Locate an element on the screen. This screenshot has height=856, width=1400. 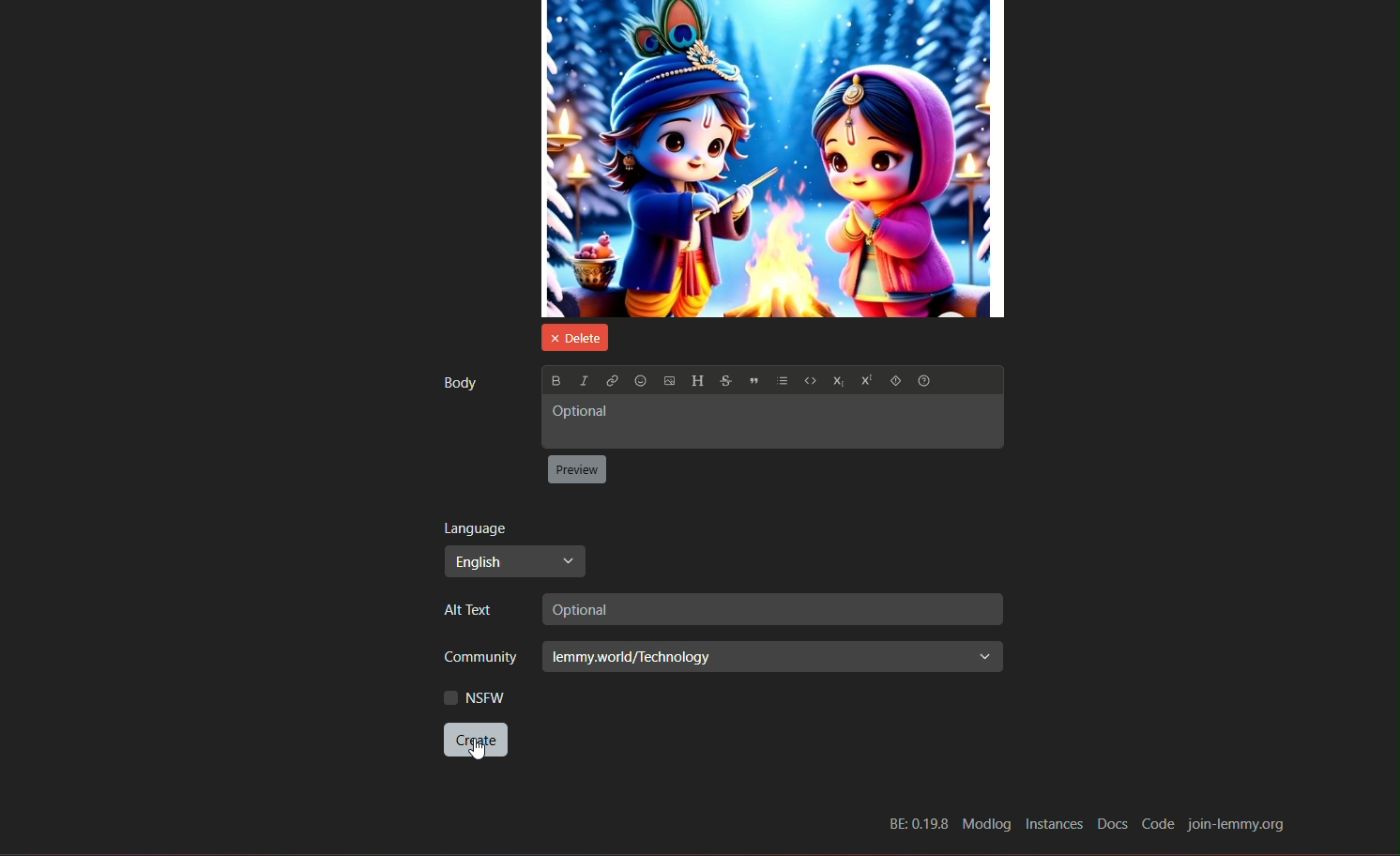
quote is located at coordinates (754, 383).